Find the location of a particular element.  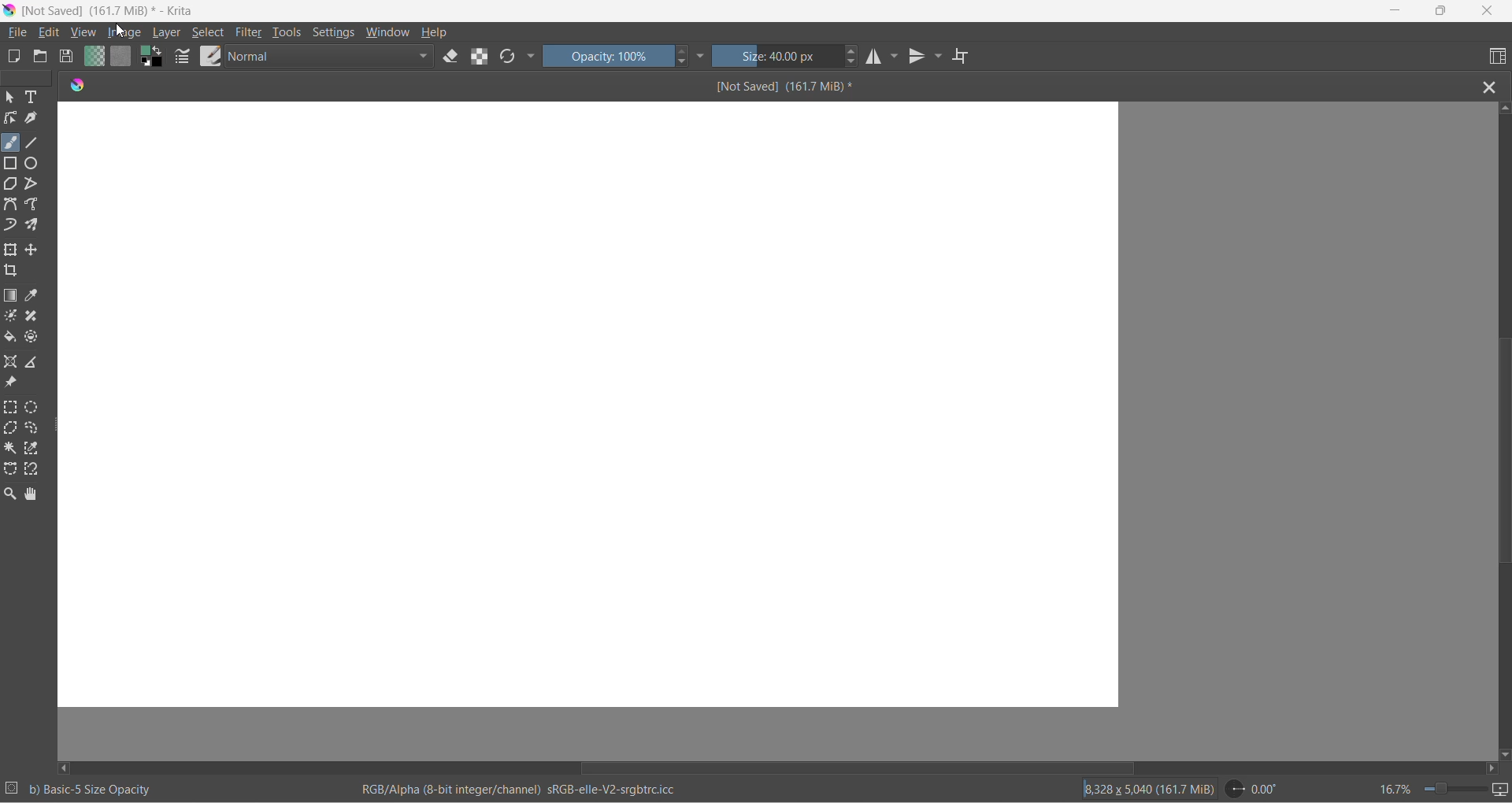

freehand selection tool is located at coordinates (36, 428).